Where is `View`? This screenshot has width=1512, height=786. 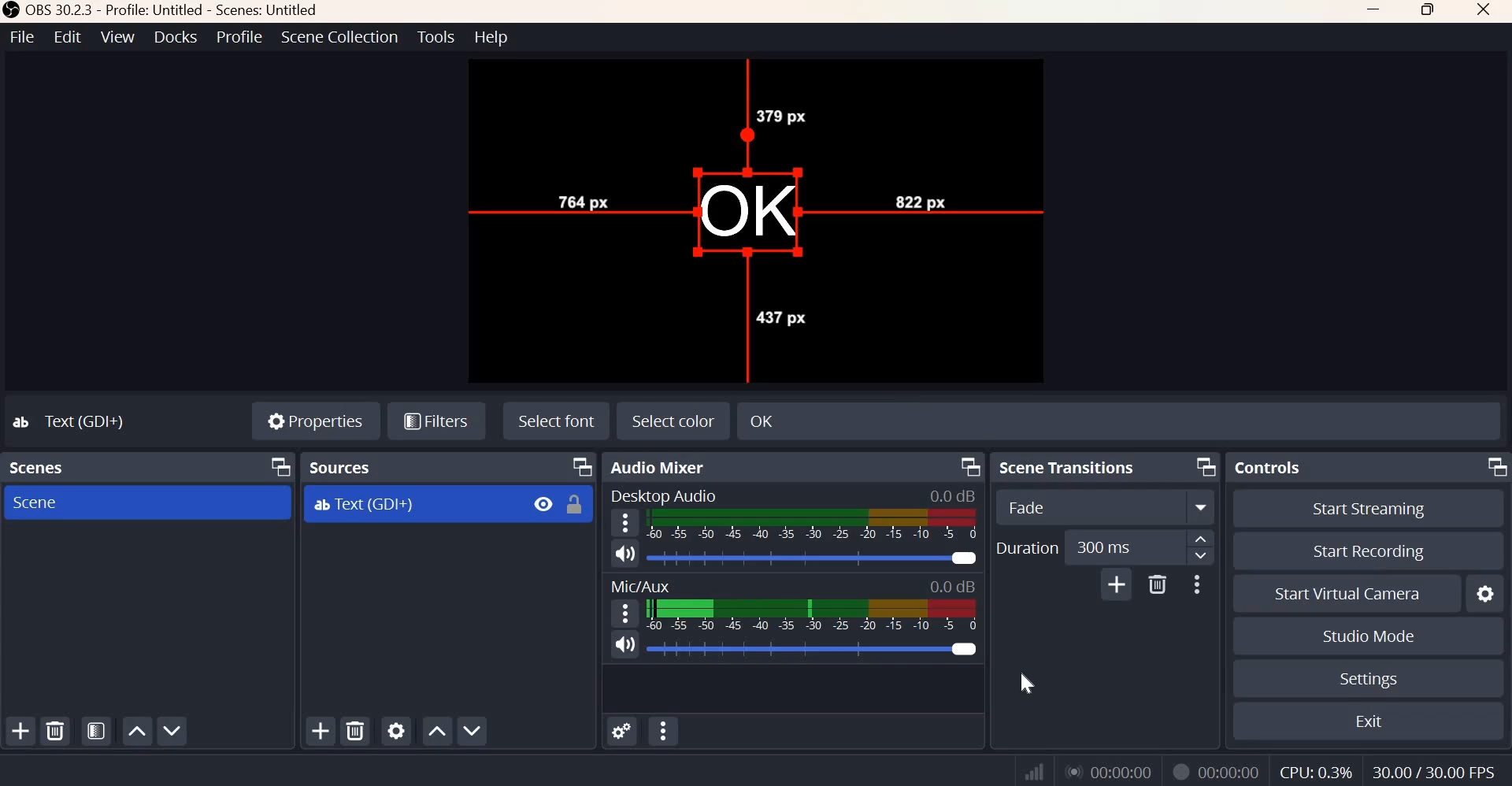 View is located at coordinates (117, 36).